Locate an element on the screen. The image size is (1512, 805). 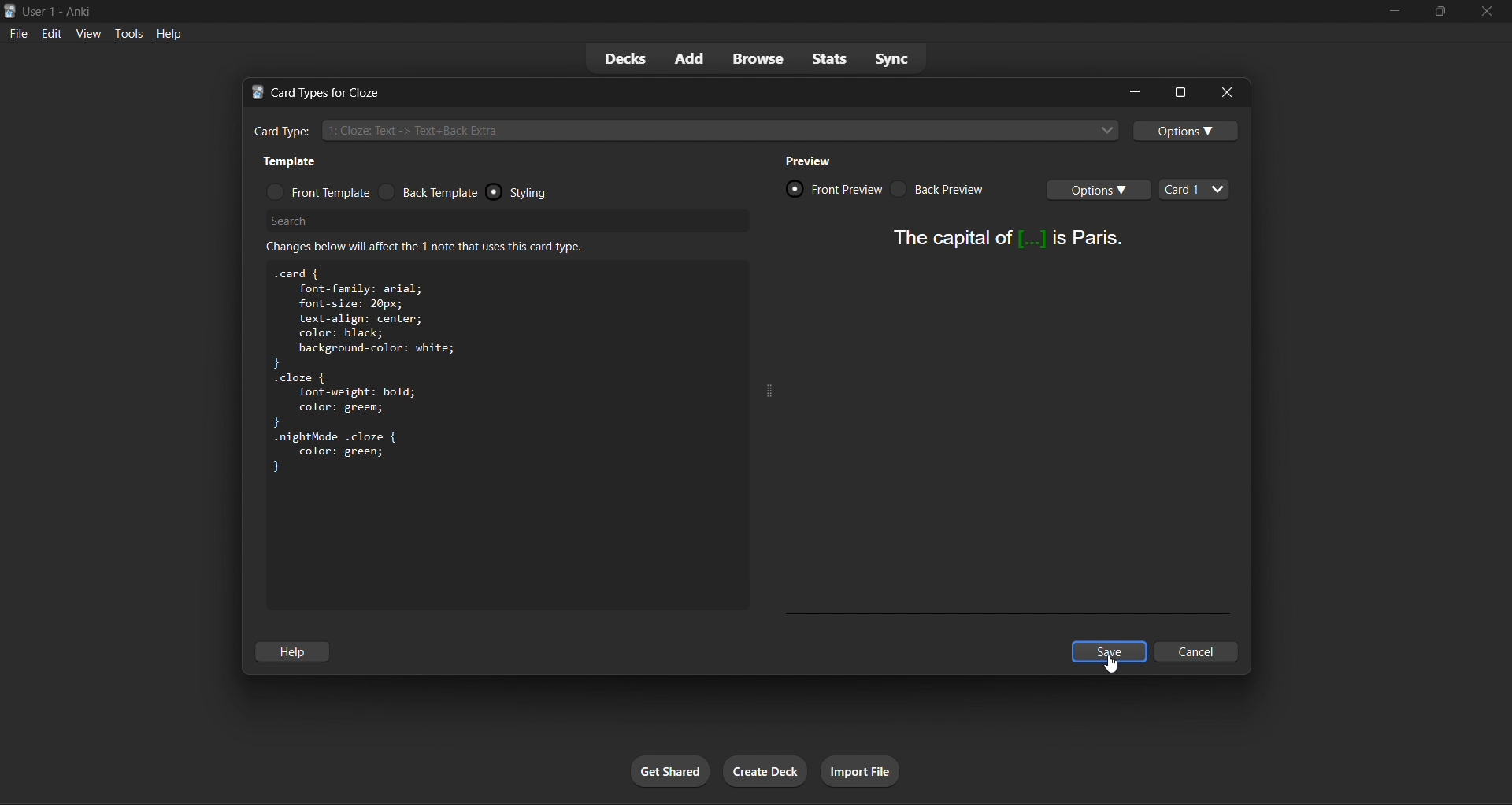
create deck is located at coordinates (766, 772).